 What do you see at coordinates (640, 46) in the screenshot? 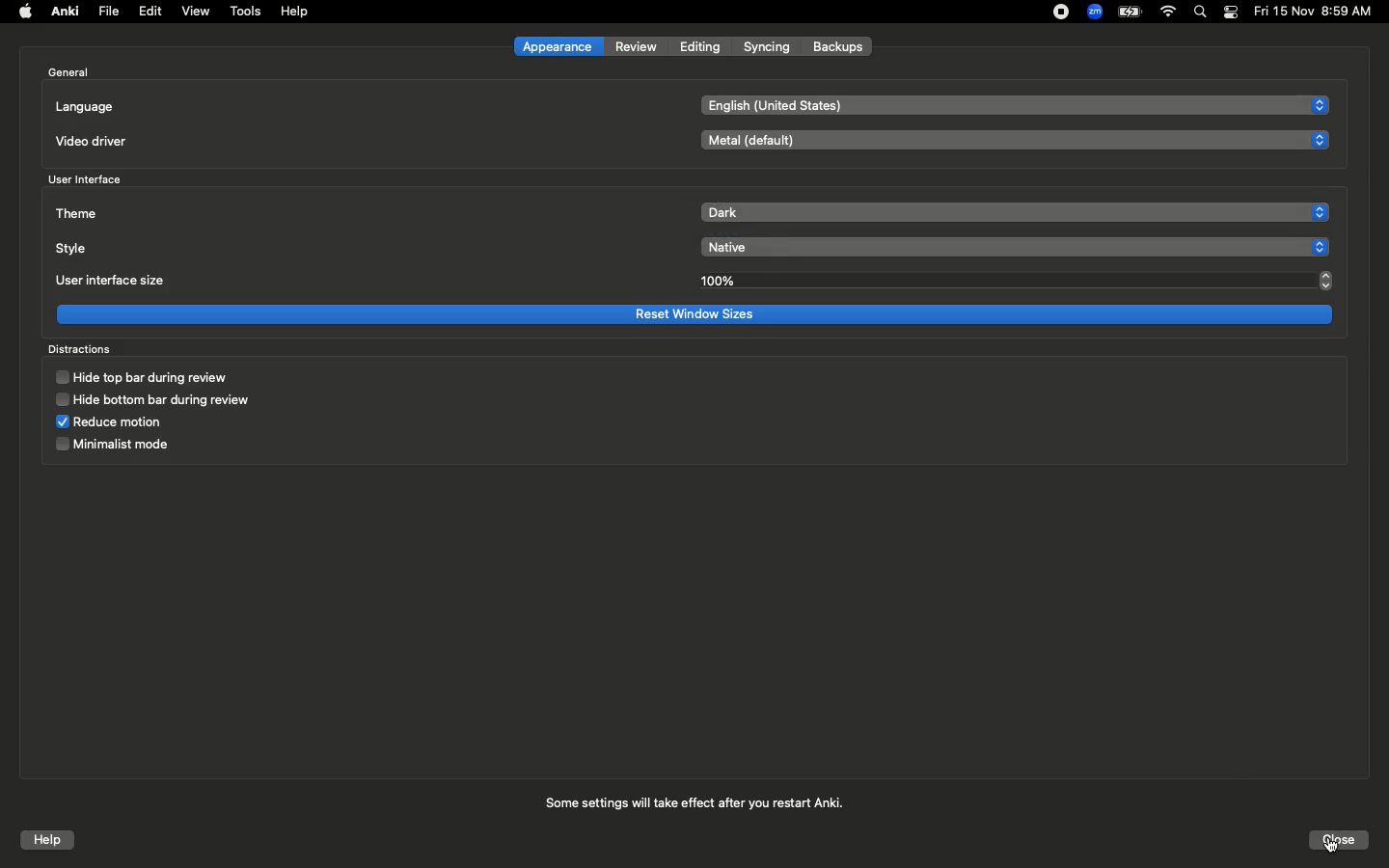
I see `Review` at bounding box center [640, 46].